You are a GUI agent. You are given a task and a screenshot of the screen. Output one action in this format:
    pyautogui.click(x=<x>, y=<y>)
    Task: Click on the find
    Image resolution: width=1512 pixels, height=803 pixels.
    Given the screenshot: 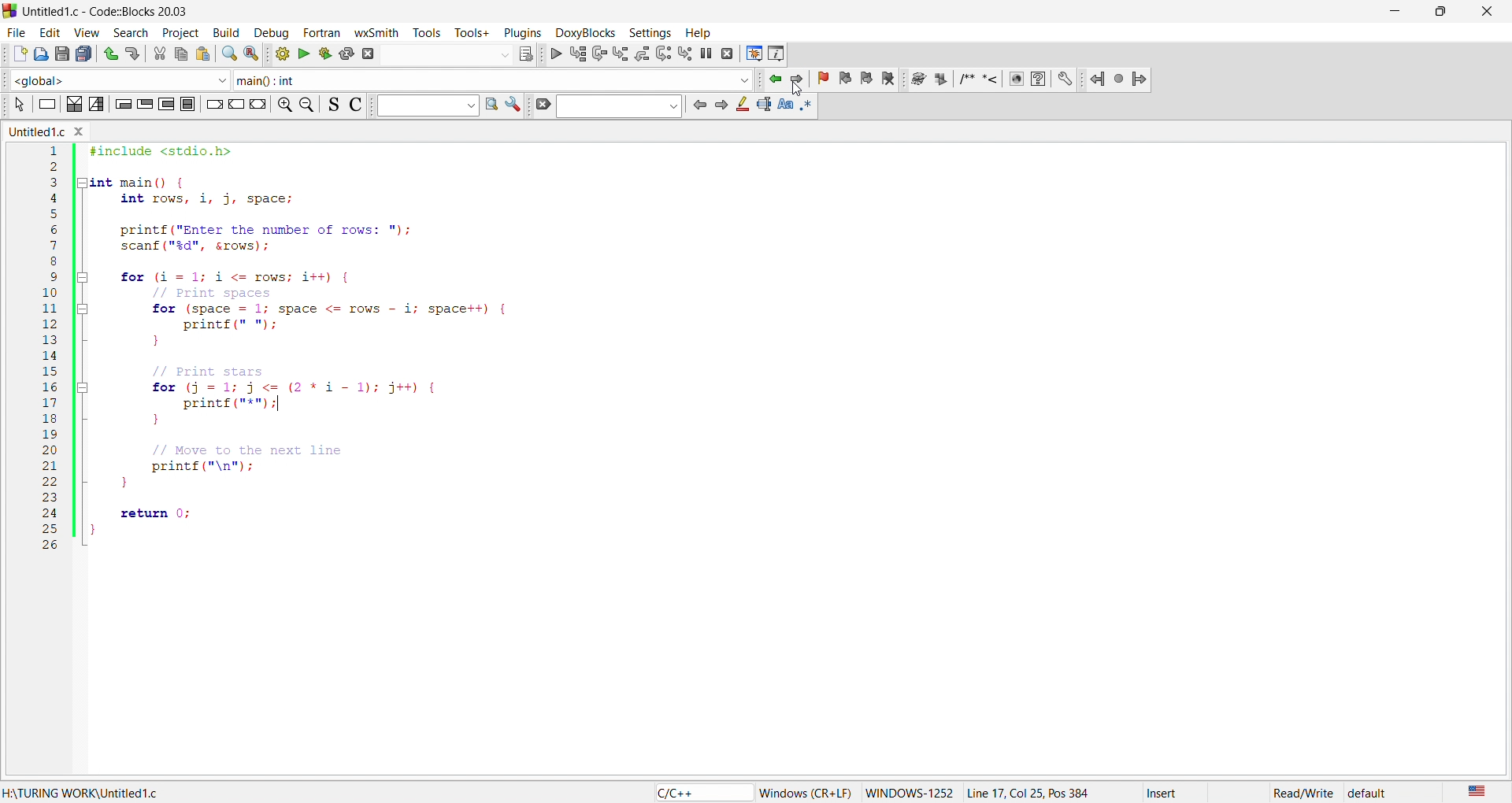 What is the action you would take?
    pyautogui.click(x=487, y=105)
    